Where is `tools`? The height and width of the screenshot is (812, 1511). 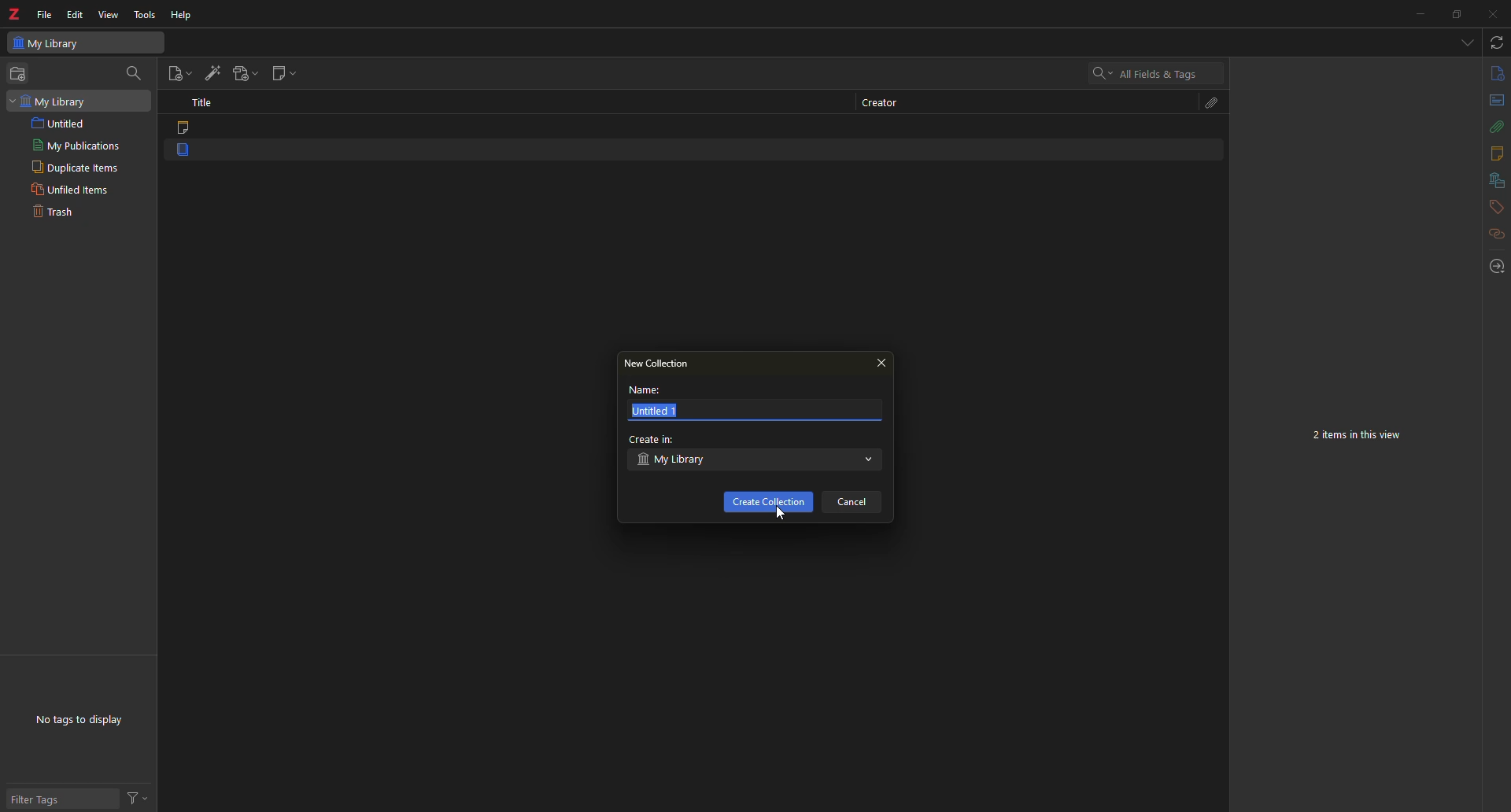 tools is located at coordinates (144, 13).